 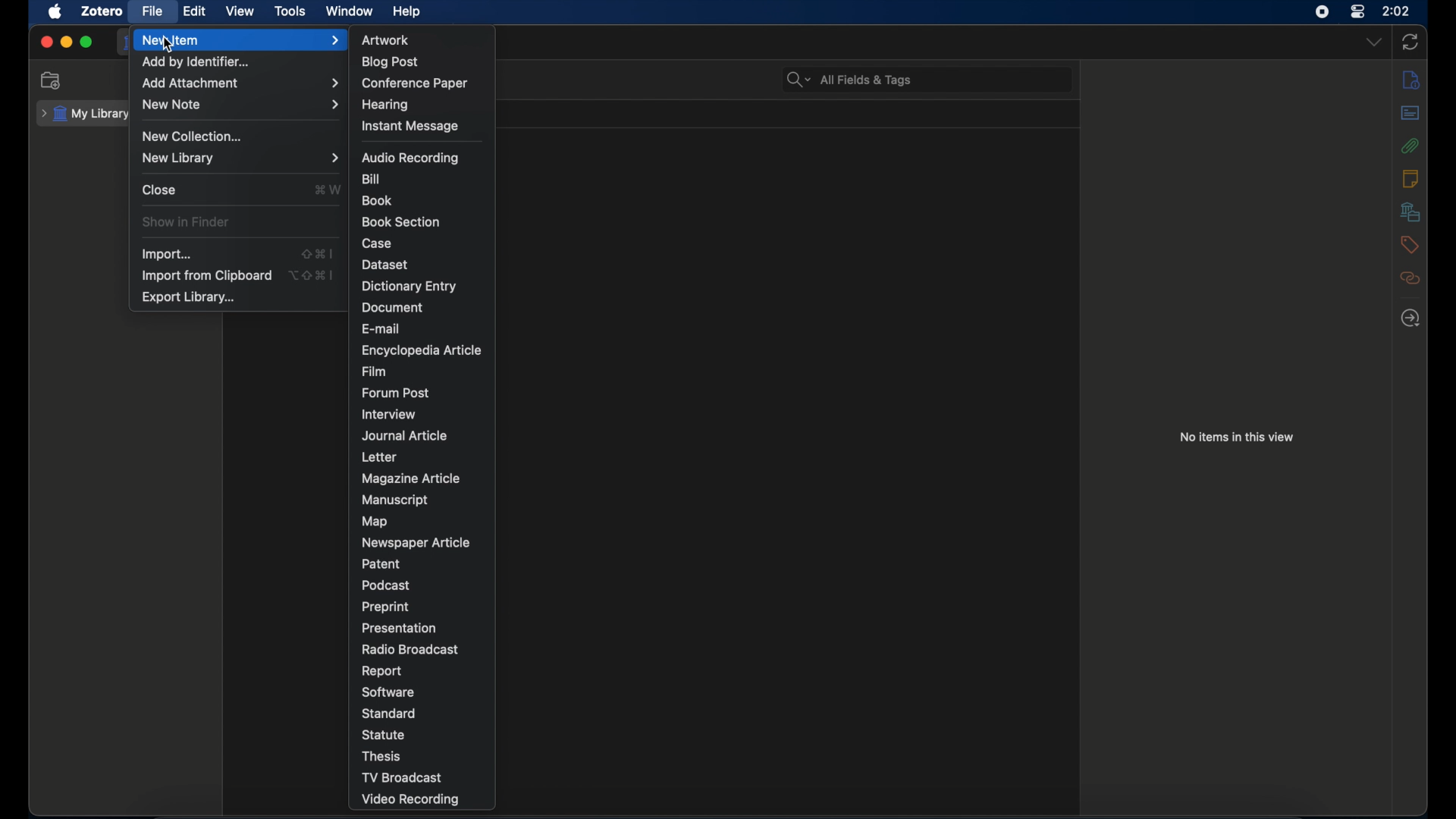 I want to click on presentation, so click(x=400, y=627).